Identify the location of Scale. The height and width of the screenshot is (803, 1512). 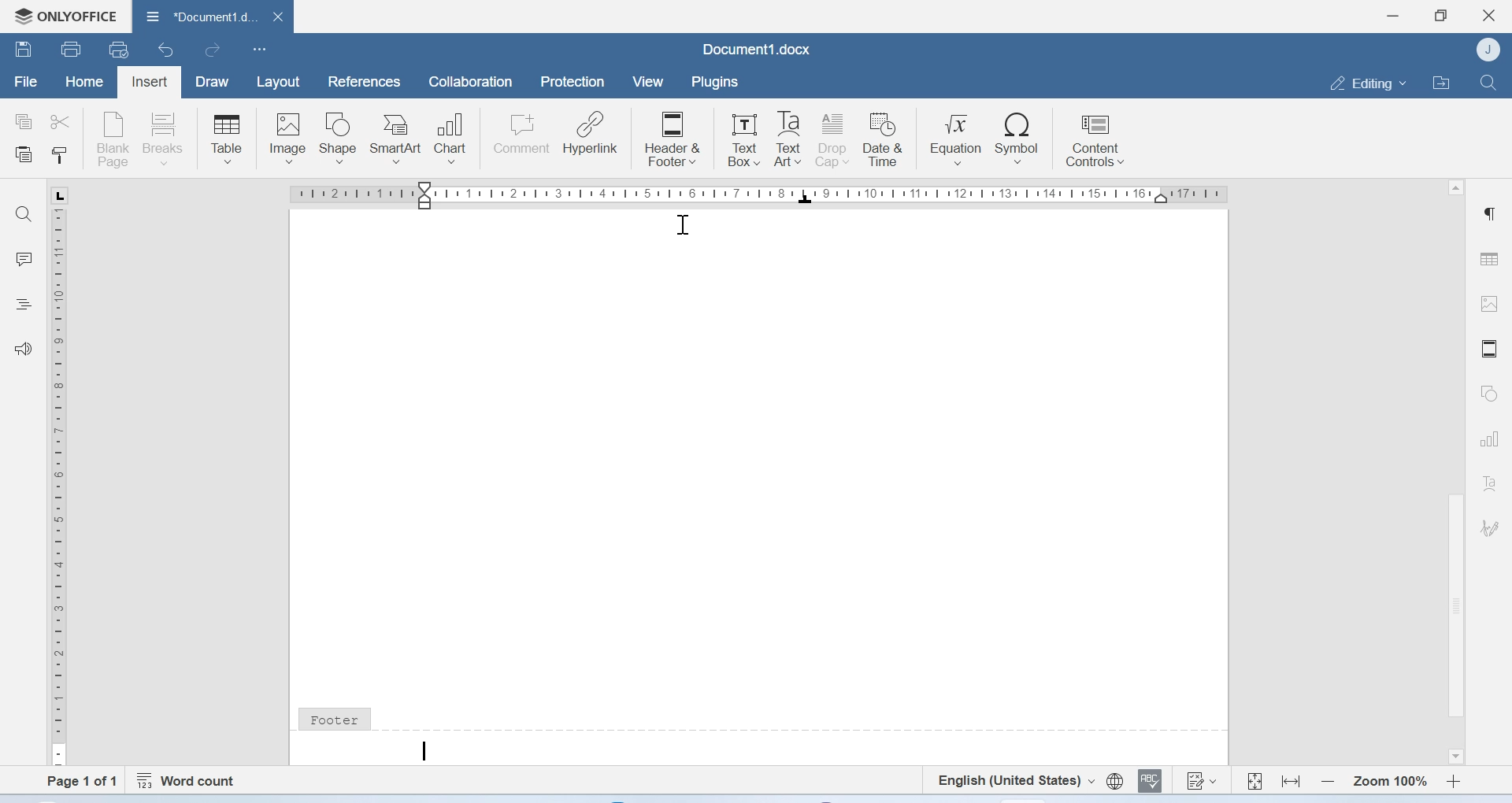
(61, 483).